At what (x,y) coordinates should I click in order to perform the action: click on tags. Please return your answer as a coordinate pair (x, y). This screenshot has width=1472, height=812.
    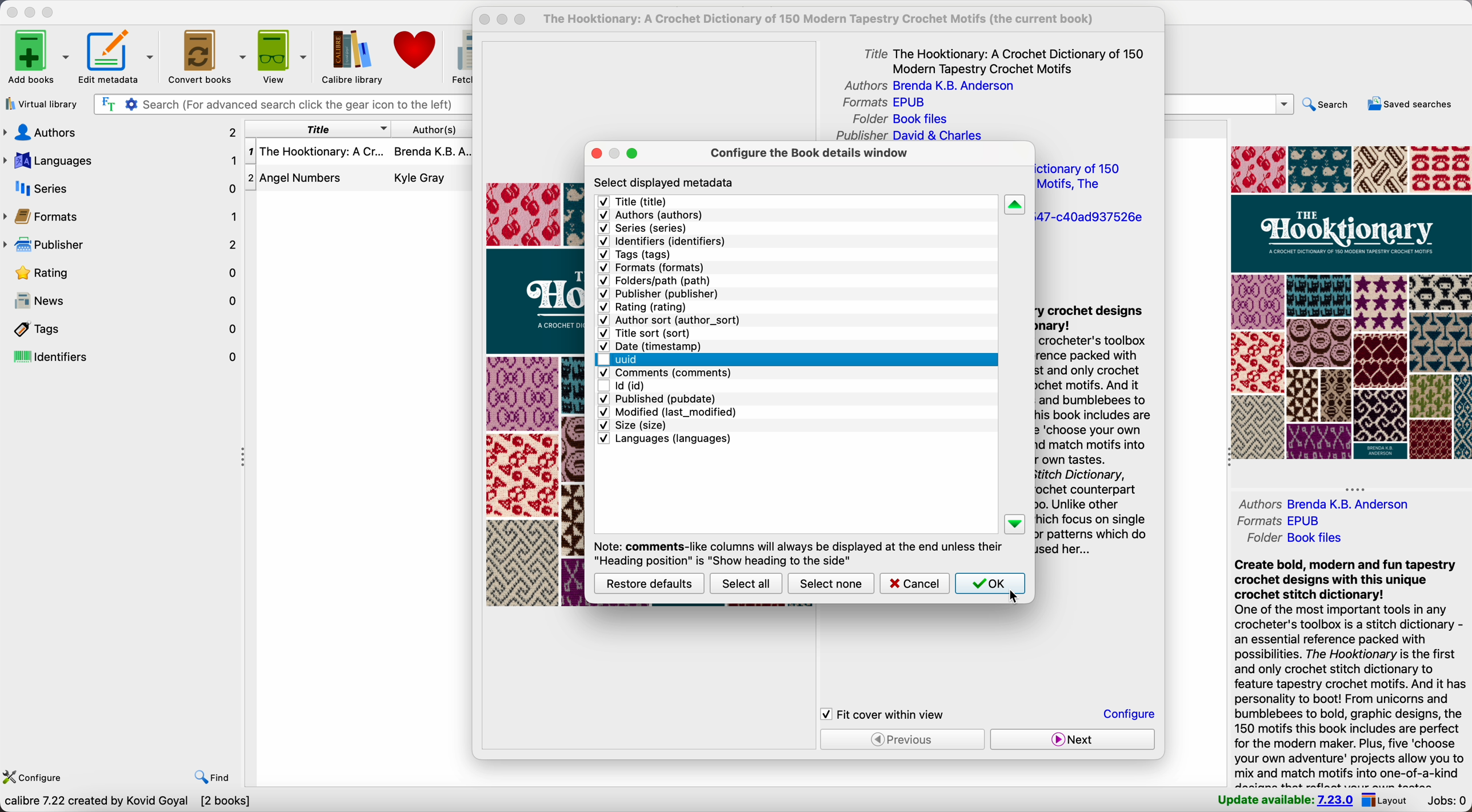
    Looking at the image, I should click on (635, 254).